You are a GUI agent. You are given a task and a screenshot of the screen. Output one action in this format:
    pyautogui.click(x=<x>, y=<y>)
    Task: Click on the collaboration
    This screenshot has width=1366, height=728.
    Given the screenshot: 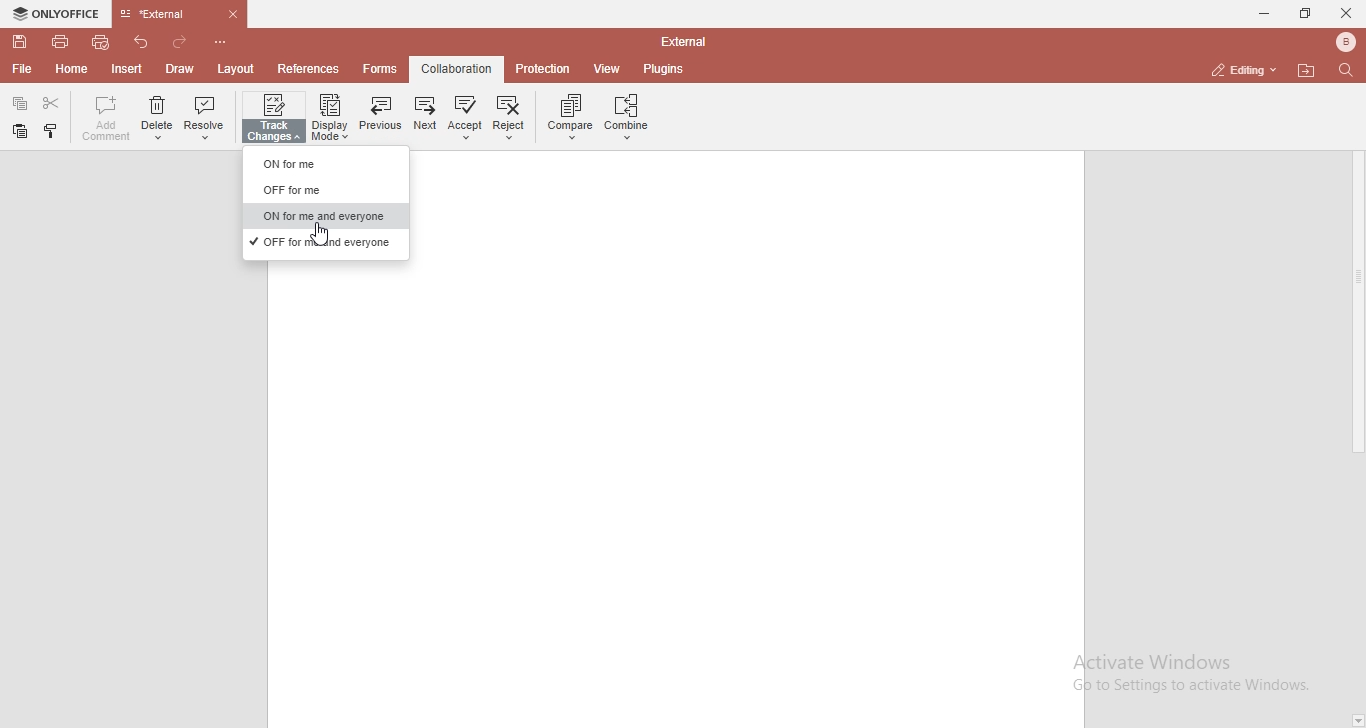 What is the action you would take?
    pyautogui.click(x=458, y=68)
    